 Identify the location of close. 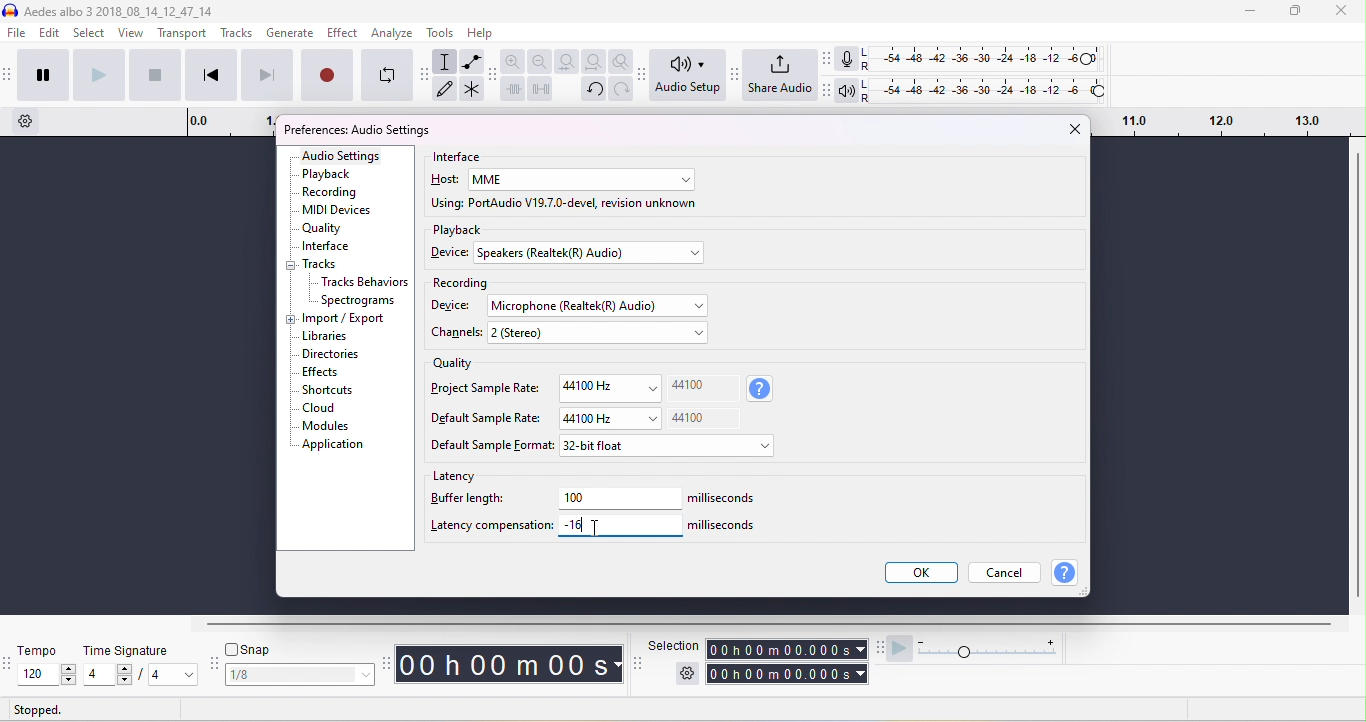
(1072, 128).